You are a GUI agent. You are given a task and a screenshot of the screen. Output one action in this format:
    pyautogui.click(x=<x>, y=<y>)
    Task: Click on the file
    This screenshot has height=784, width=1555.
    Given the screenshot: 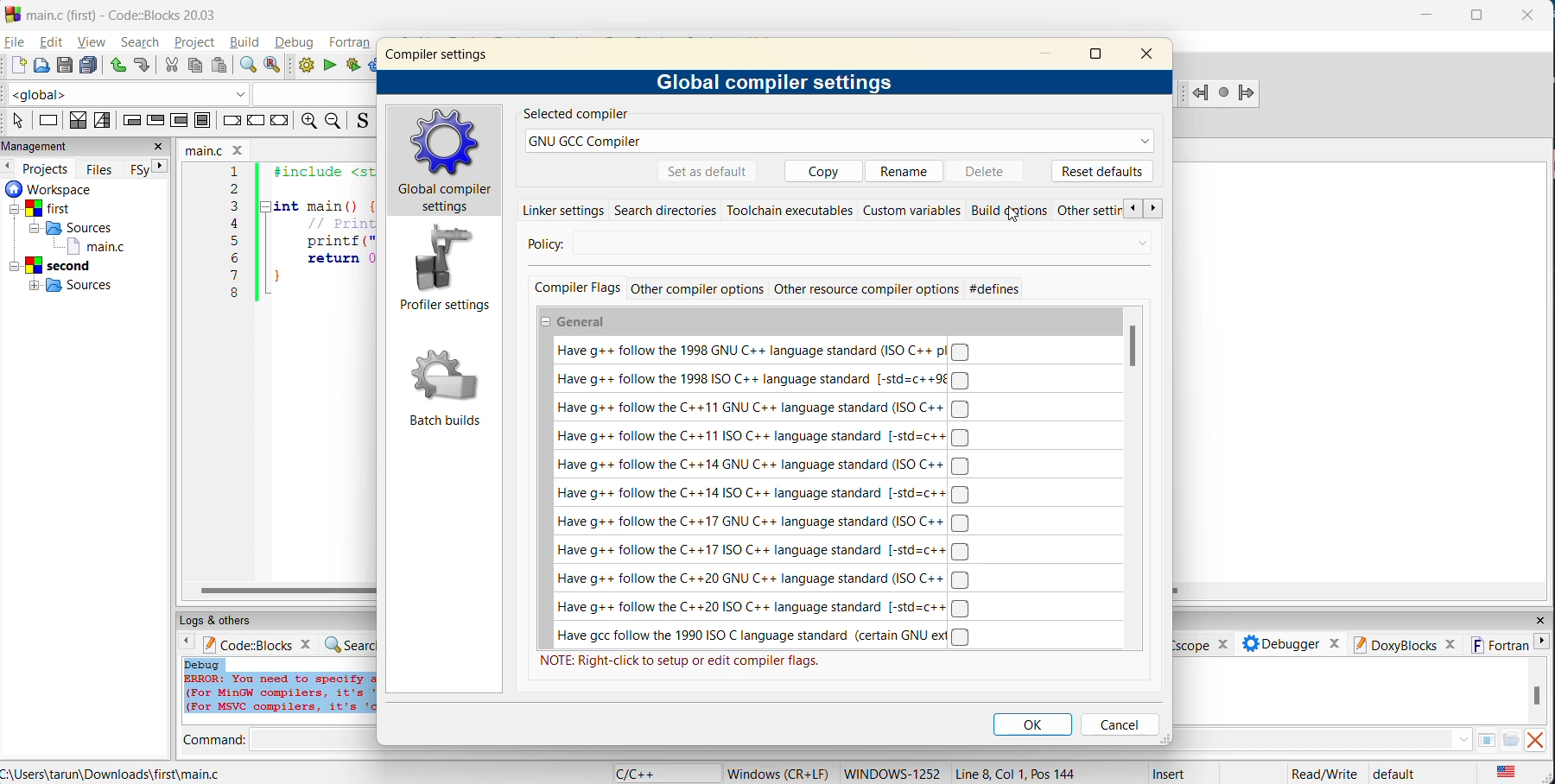 What is the action you would take?
    pyautogui.click(x=16, y=42)
    